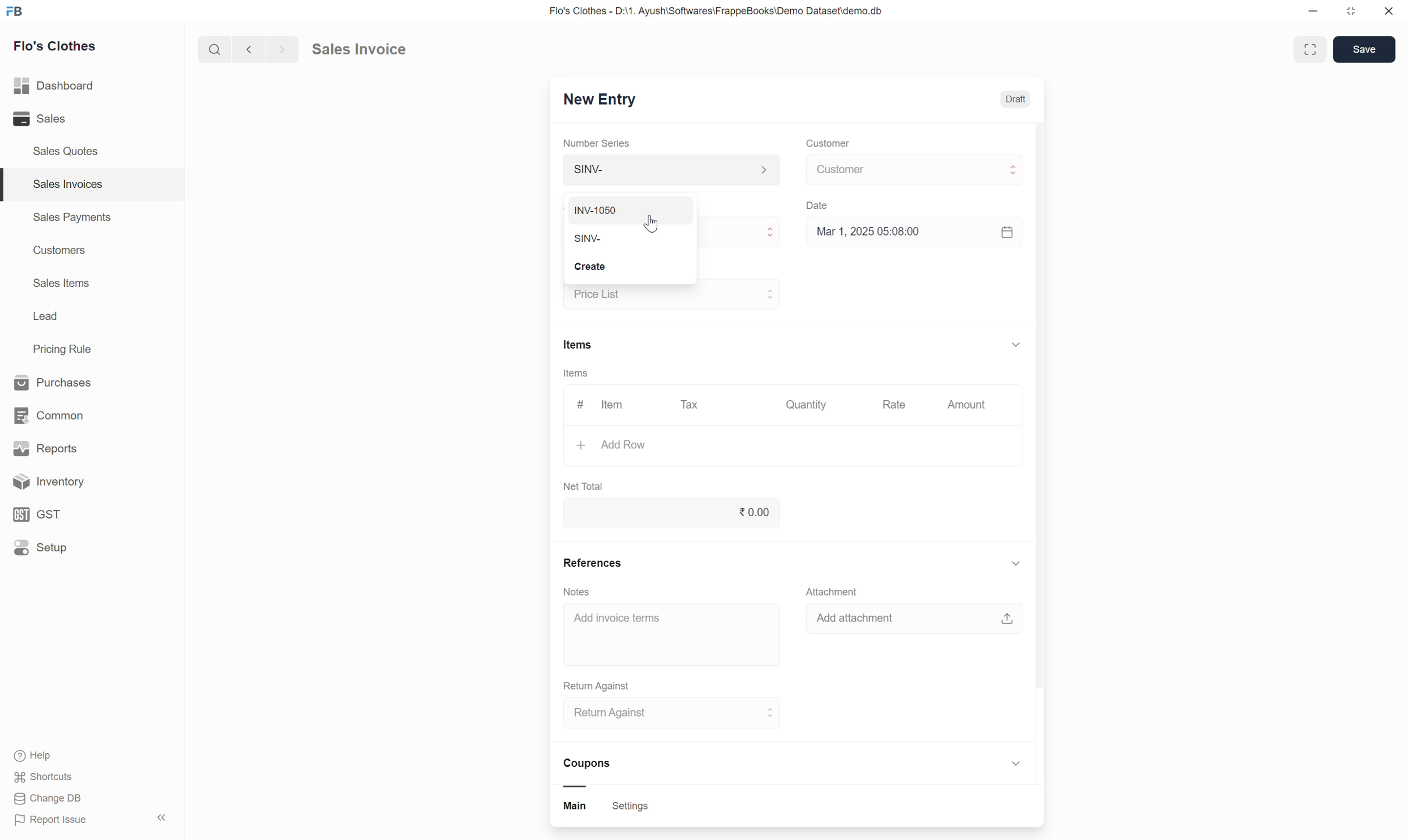  Describe the element at coordinates (62, 284) in the screenshot. I see `Sales Items` at that location.